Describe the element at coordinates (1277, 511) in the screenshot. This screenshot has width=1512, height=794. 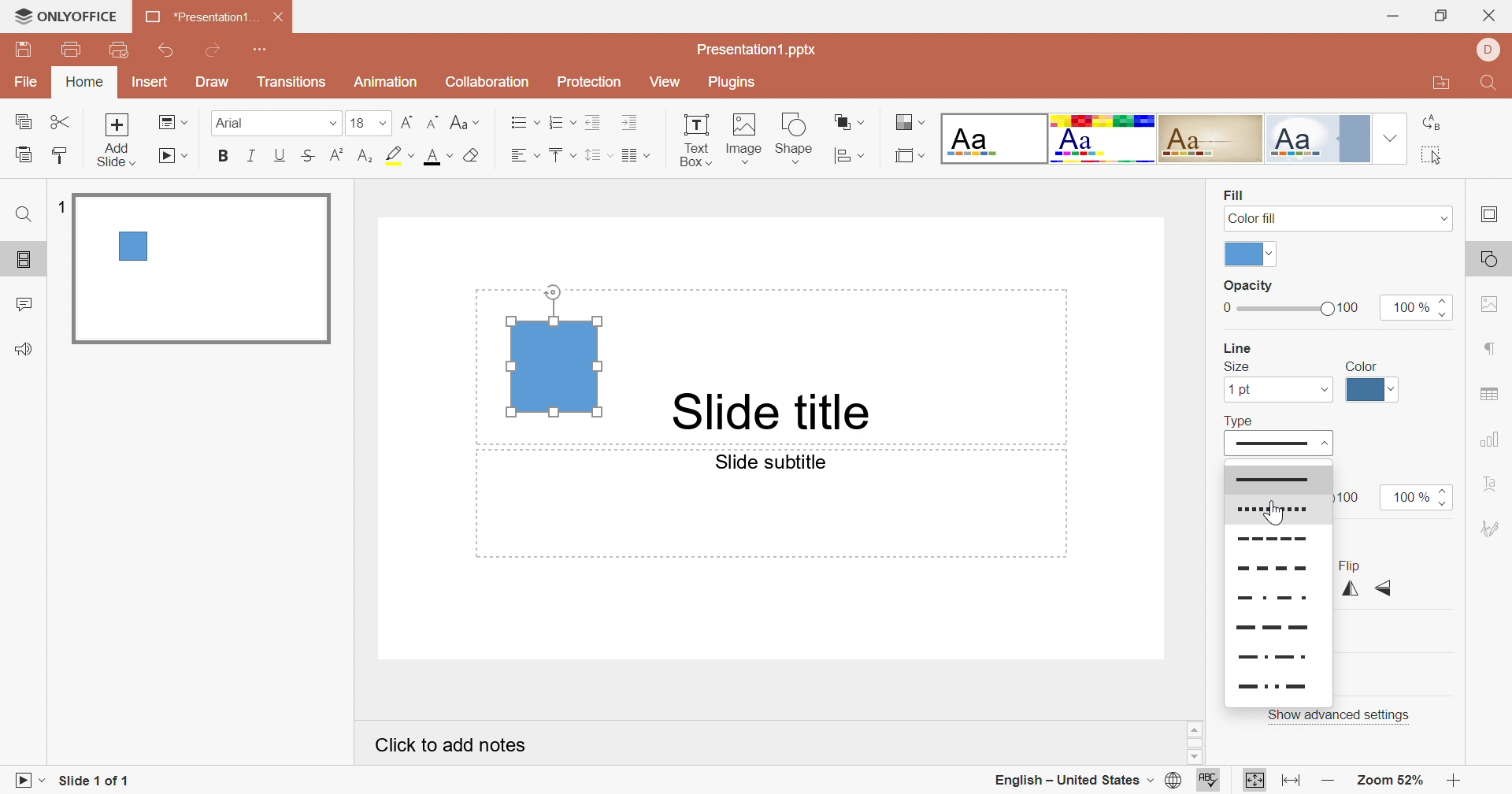
I see `Cursor` at that location.